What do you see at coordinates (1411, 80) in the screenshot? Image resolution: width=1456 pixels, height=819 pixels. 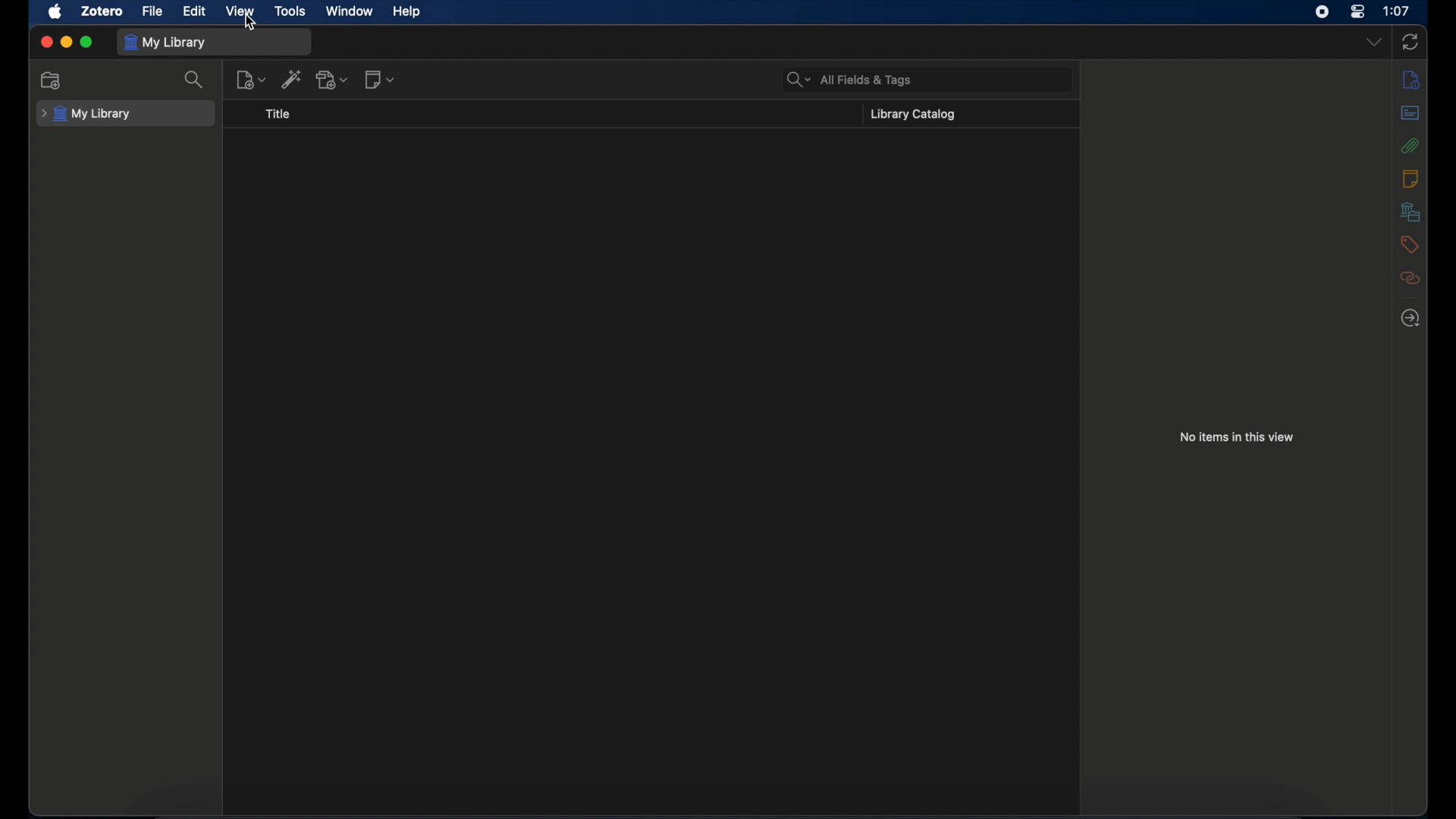 I see `info` at bounding box center [1411, 80].